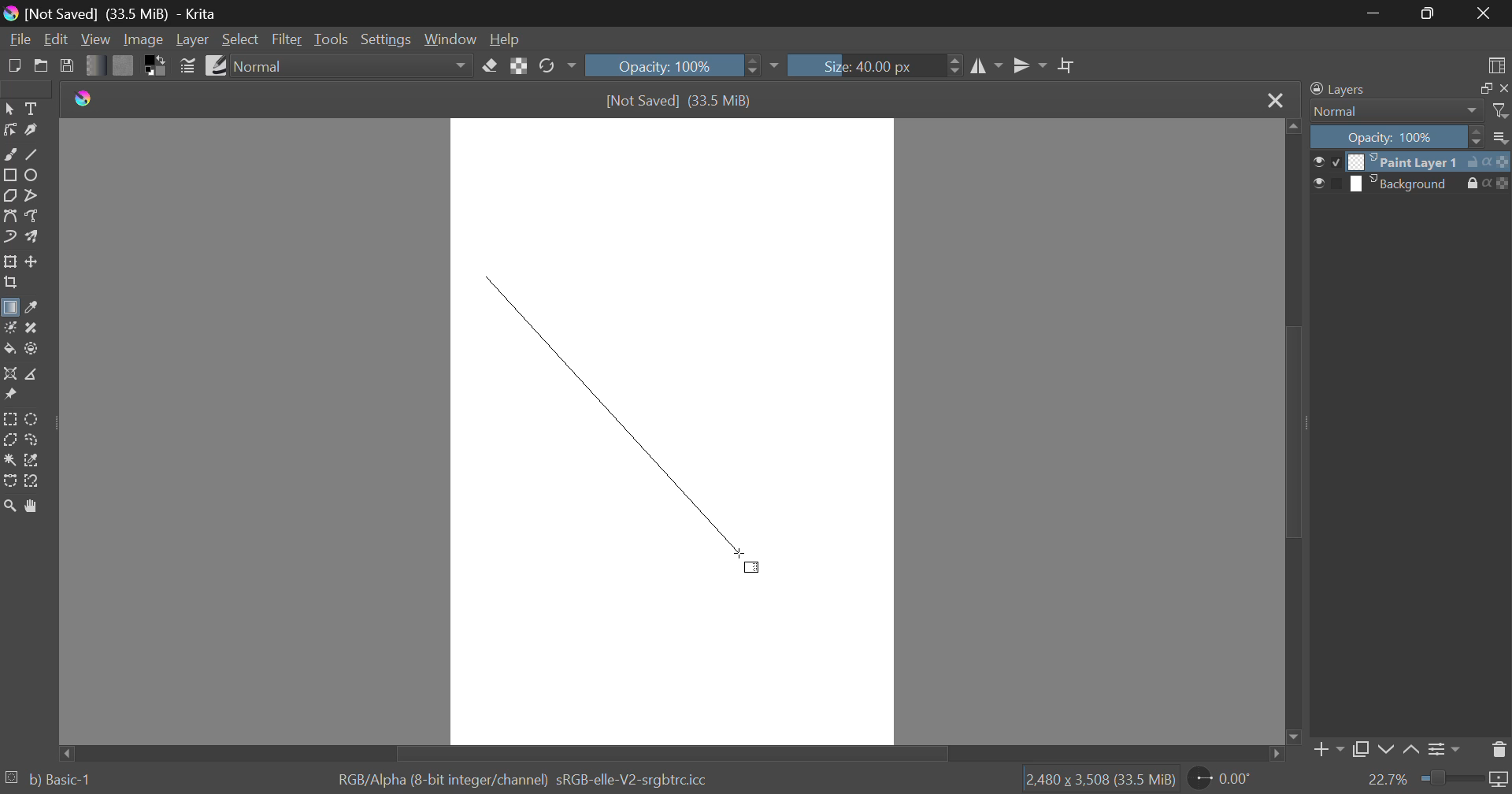 The width and height of the screenshot is (1512, 794). What do you see at coordinates (32, 329) in the screenshot?
I see `Smart Patch Tool` at bounding box center [32, 329].